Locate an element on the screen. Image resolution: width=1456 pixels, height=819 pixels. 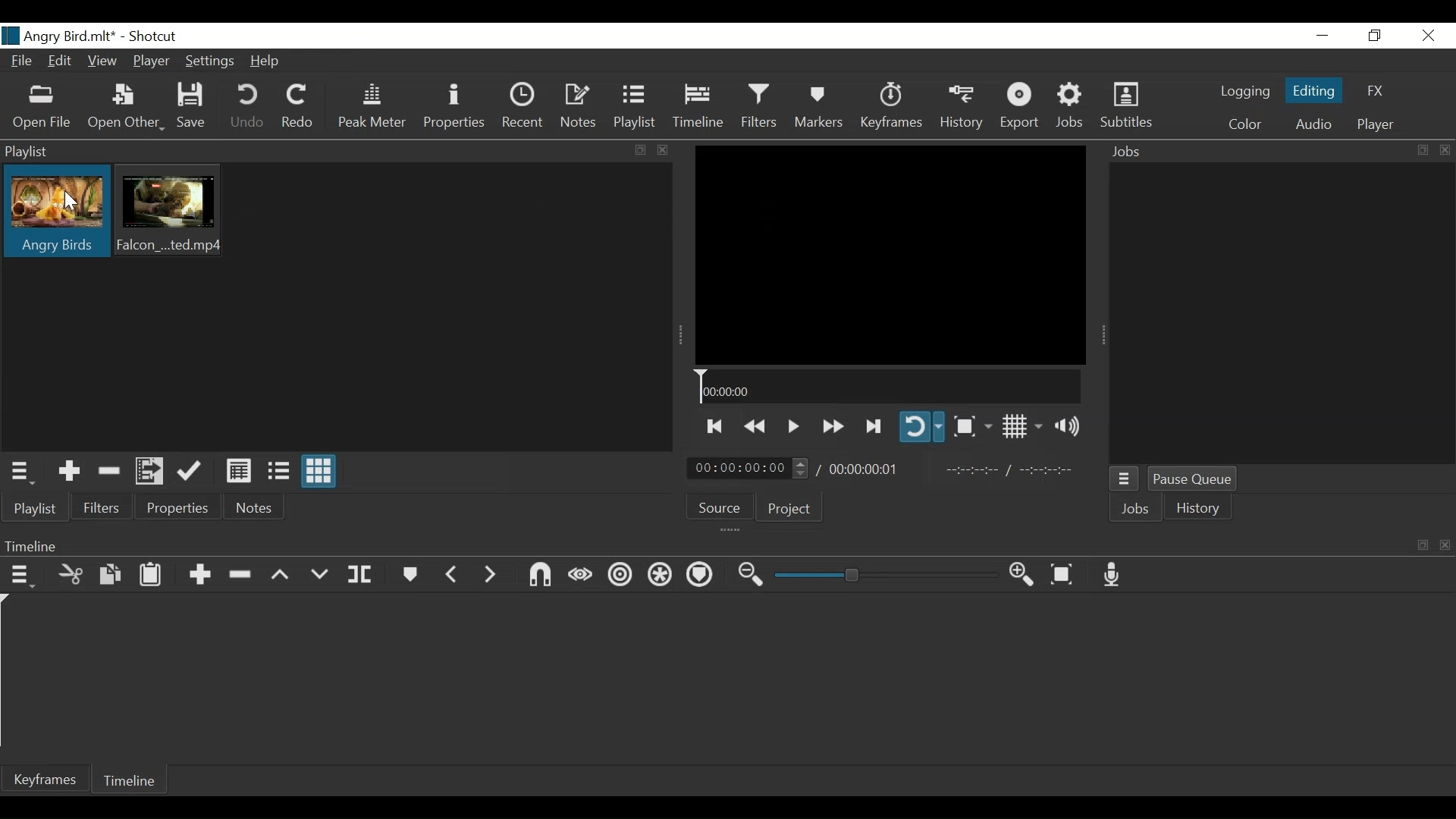
Ripple is located at coordinates (620, 575).